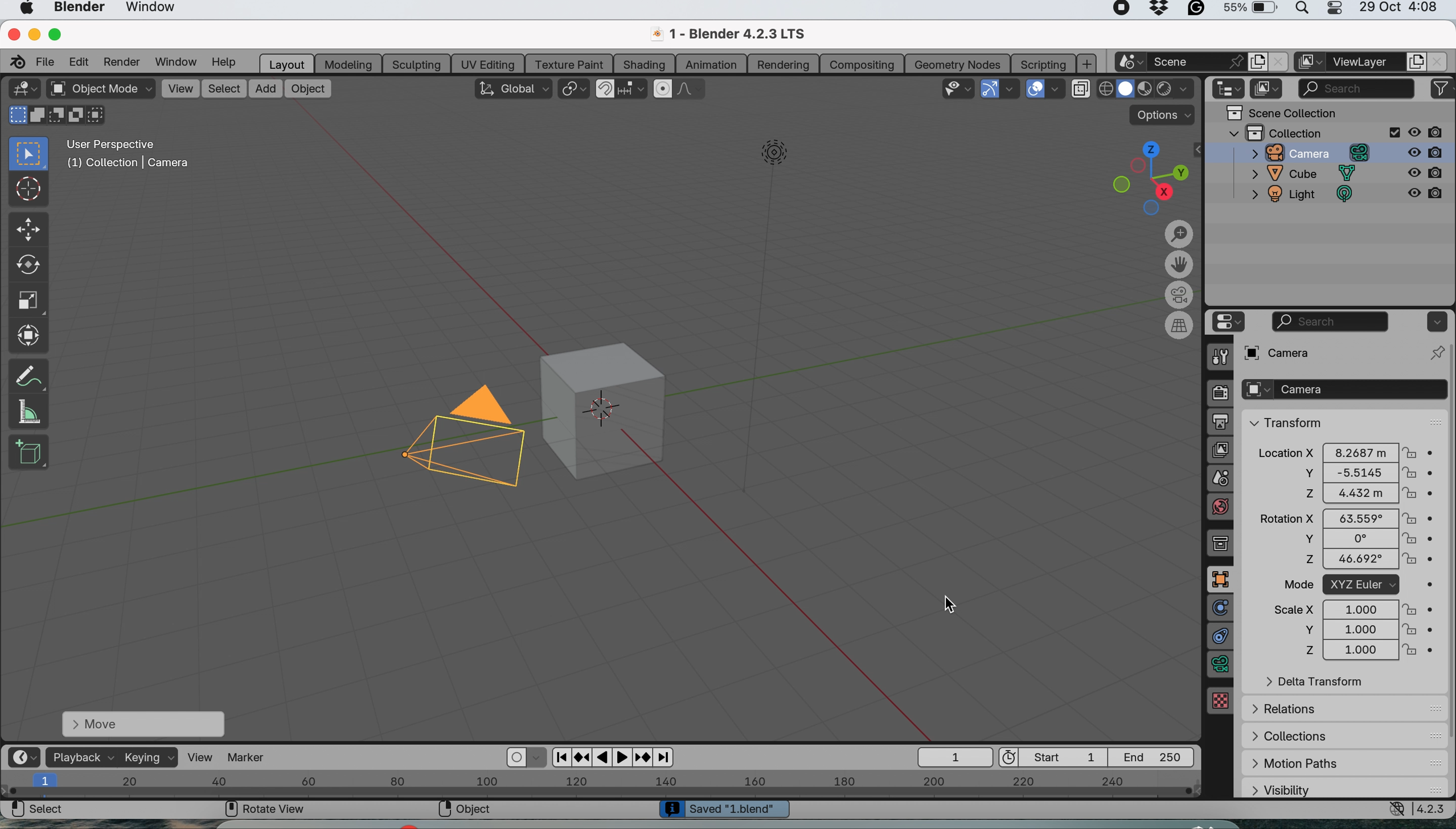 Image resolution: width=1456 pixels, height=829 pixels. What do you see at coordinates (1182, 264) in the screenshot?
I see `move the view` at bounding box center [1182, 264].